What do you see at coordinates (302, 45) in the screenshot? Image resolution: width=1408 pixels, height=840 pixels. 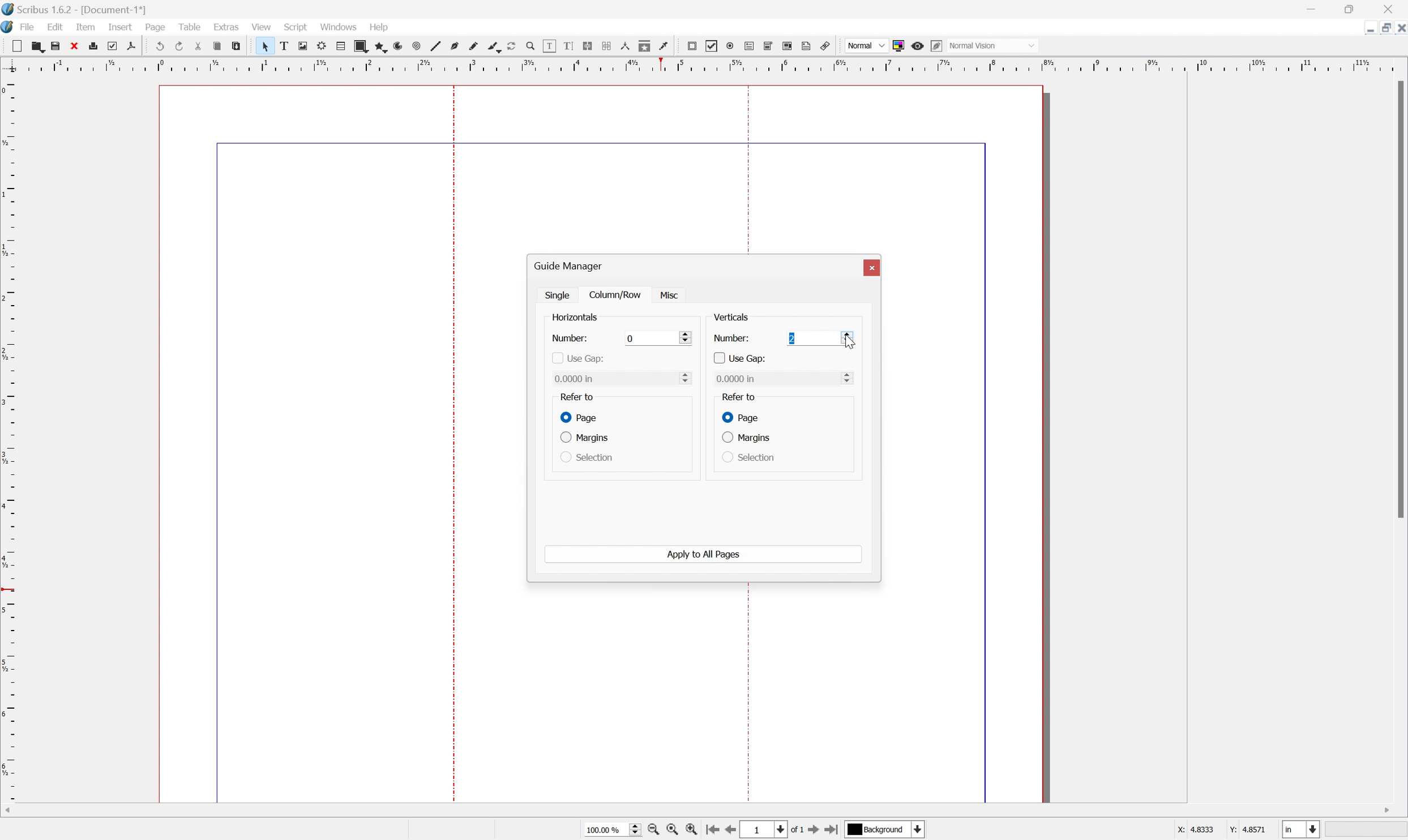 I see `image frame` at bounding box center [302, 45].